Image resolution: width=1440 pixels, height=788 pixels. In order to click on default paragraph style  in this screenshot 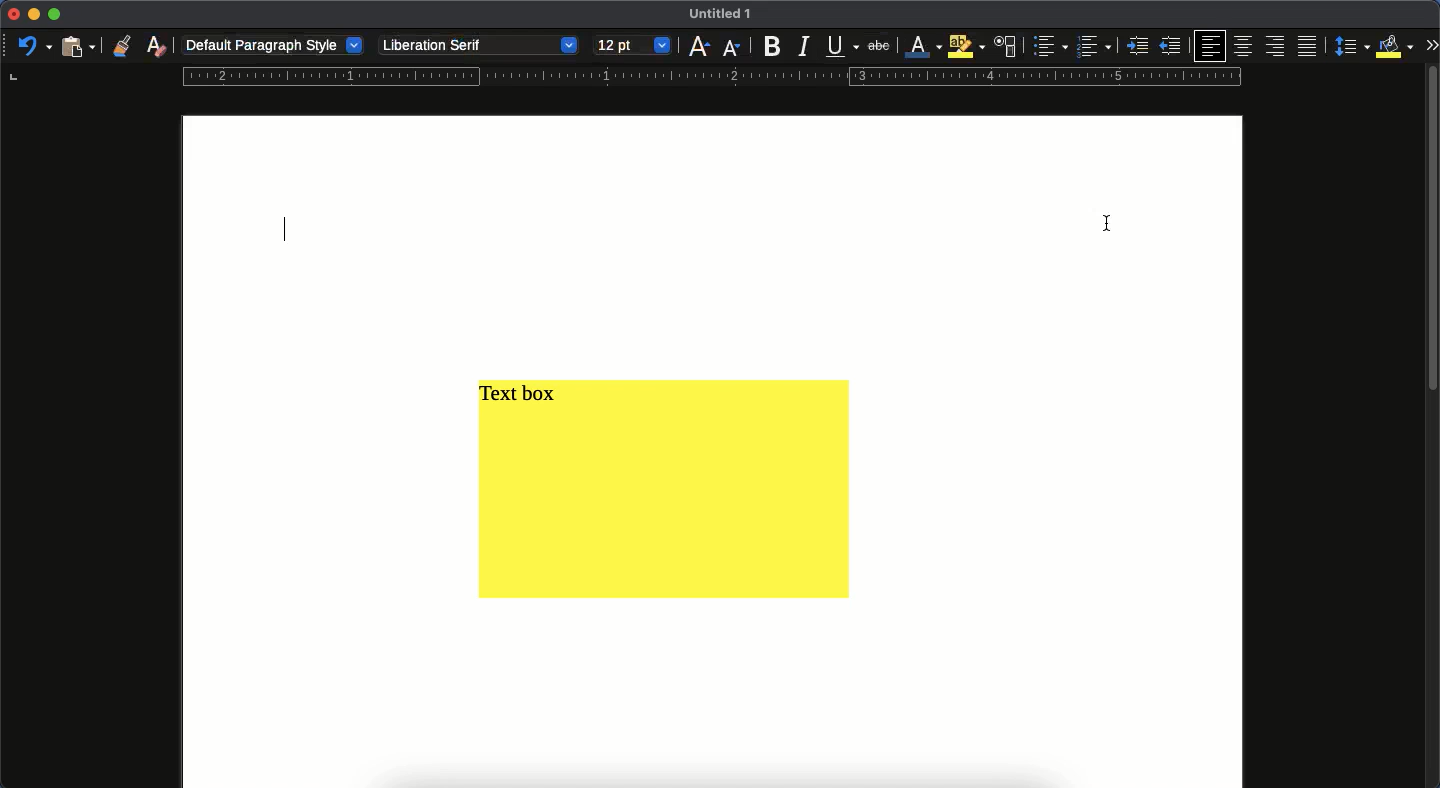, I will do `click(273, 45)`.